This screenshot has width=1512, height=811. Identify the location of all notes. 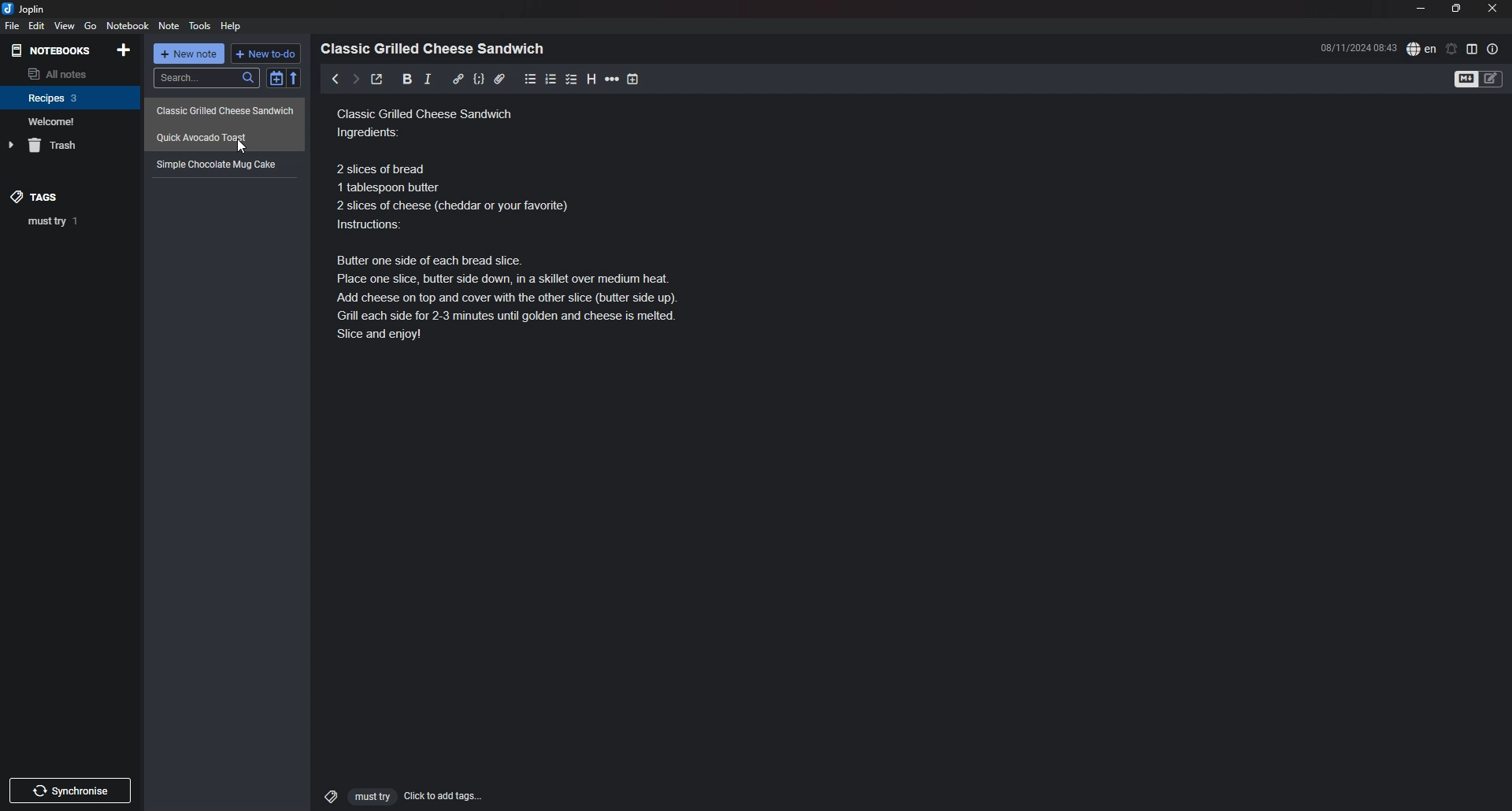
(68, 73).